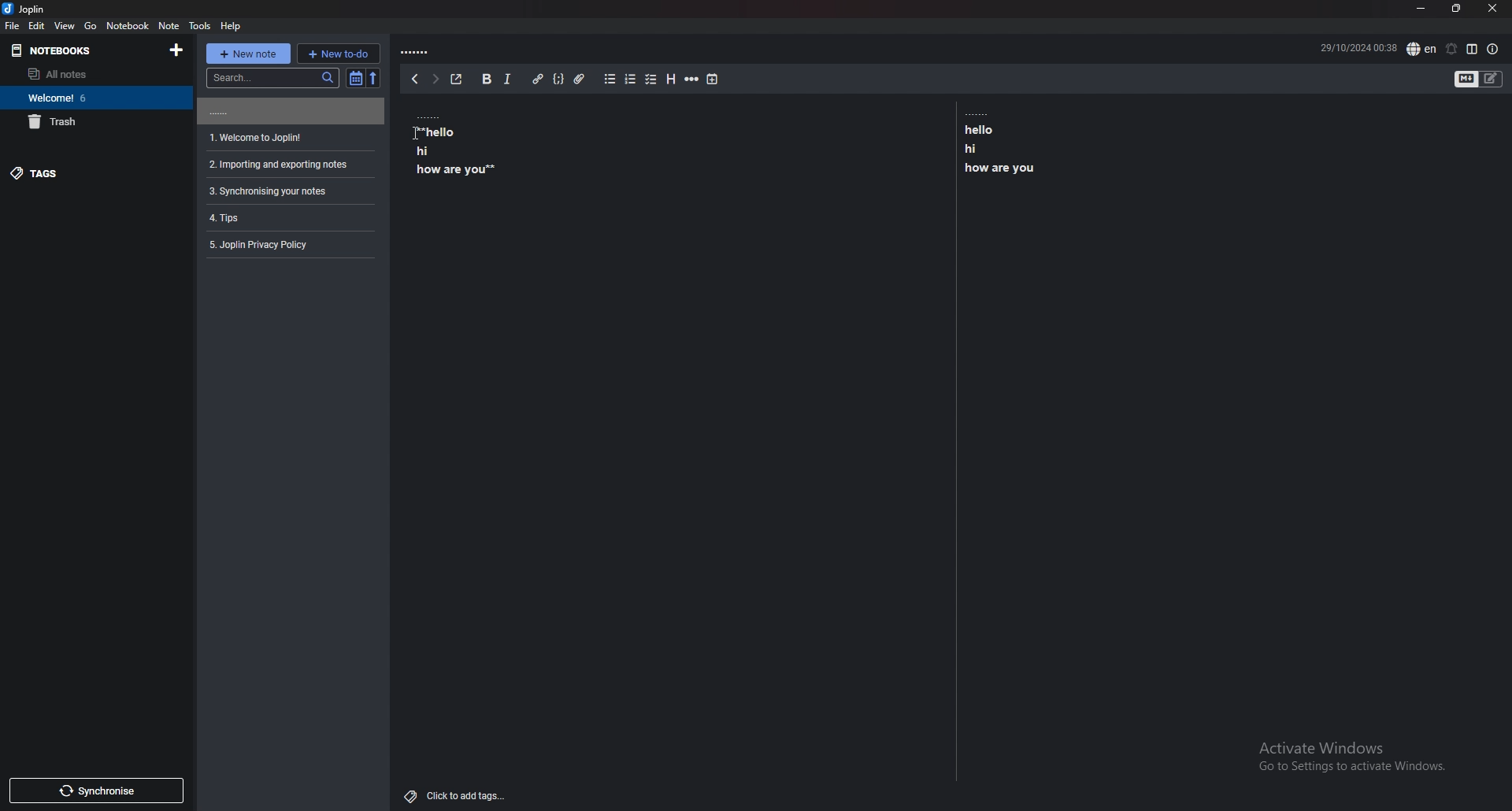 This screenshot has height=811, width=1512. I want to click on toggle editors, so click(1467, 80).